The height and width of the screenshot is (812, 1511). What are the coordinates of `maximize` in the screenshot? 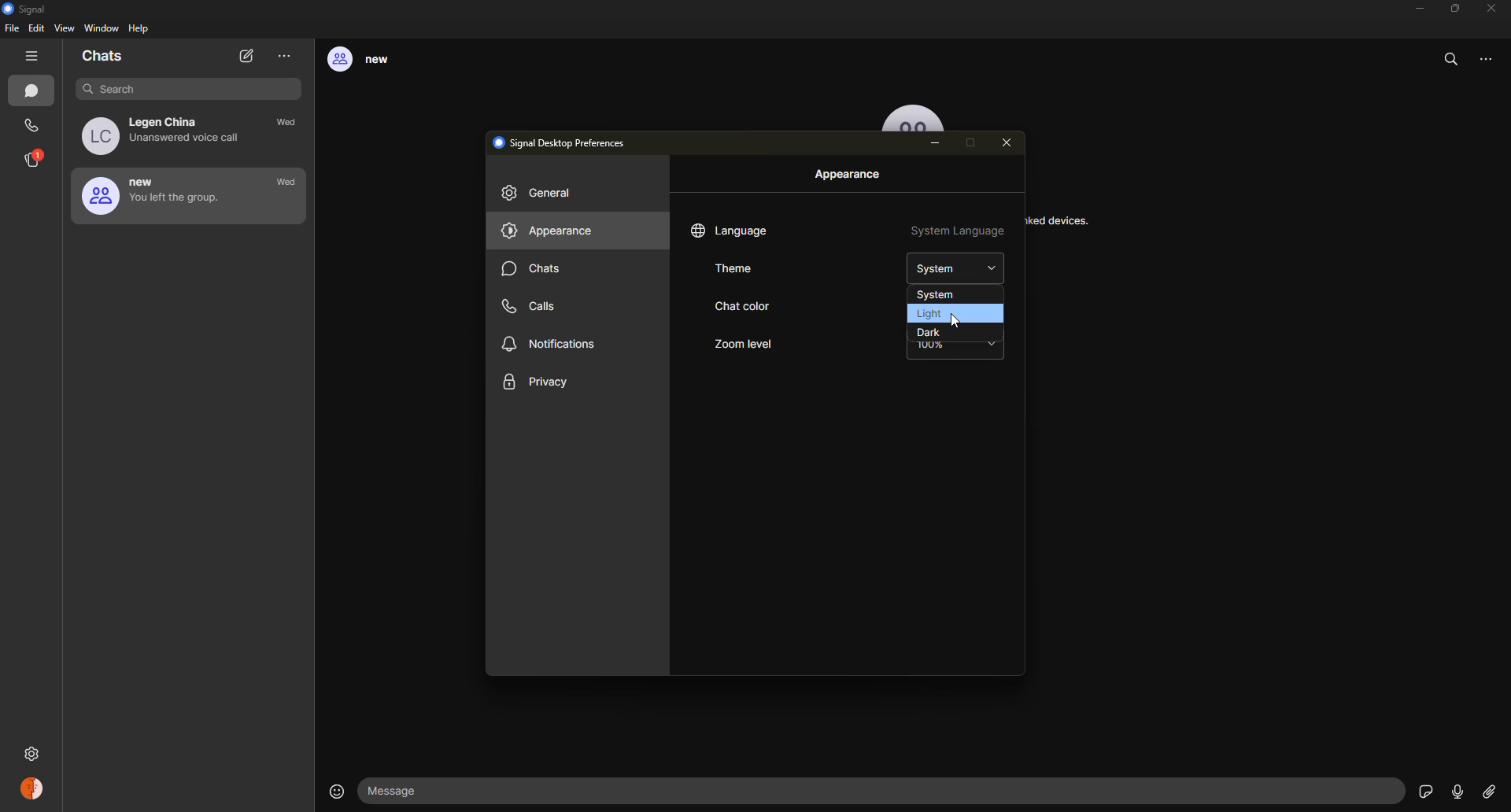 It's located at (1454, 8).